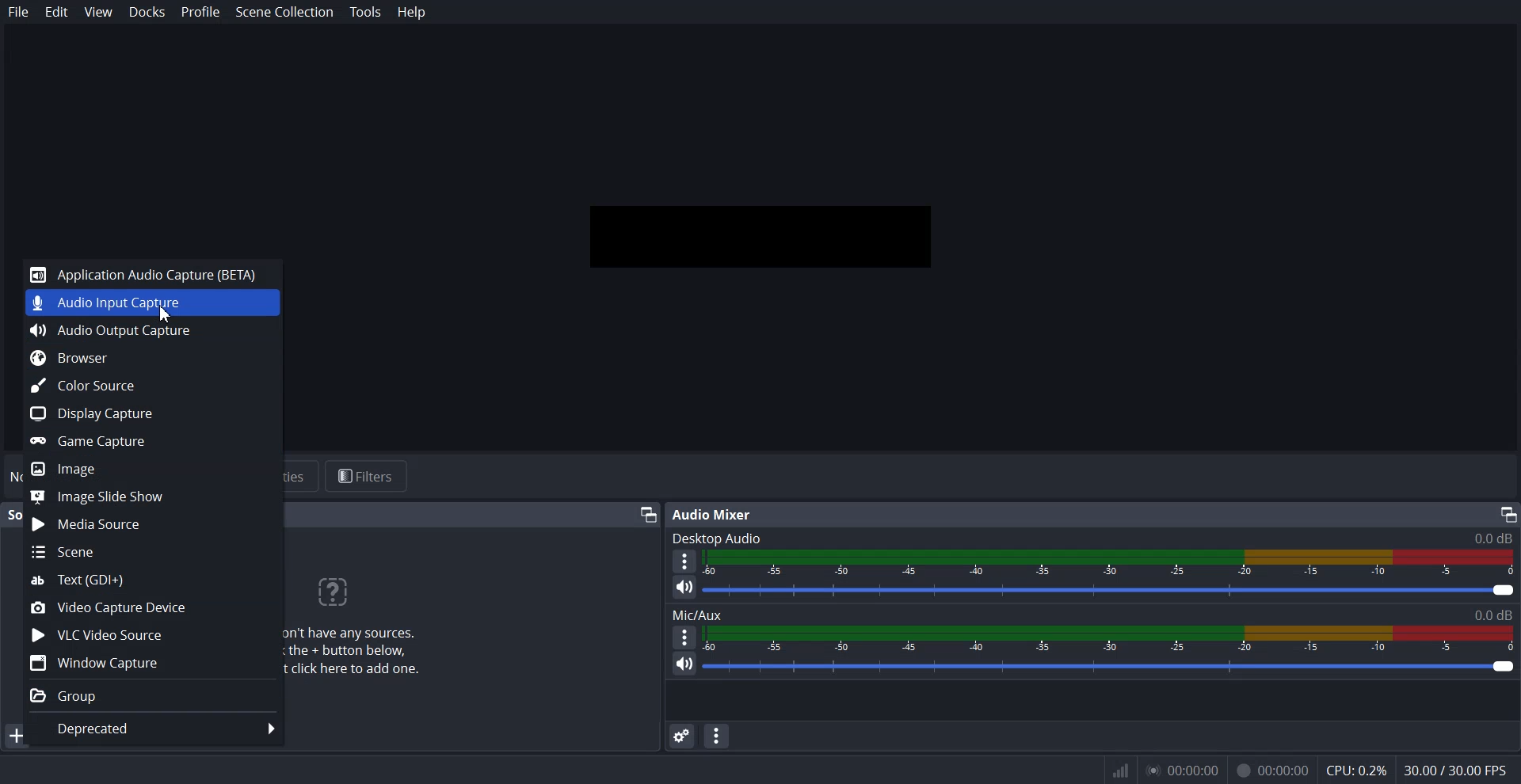 Image resolution: width=1521 pixels, height=784 pixels. I want to click on Text, so click(1092, 613).